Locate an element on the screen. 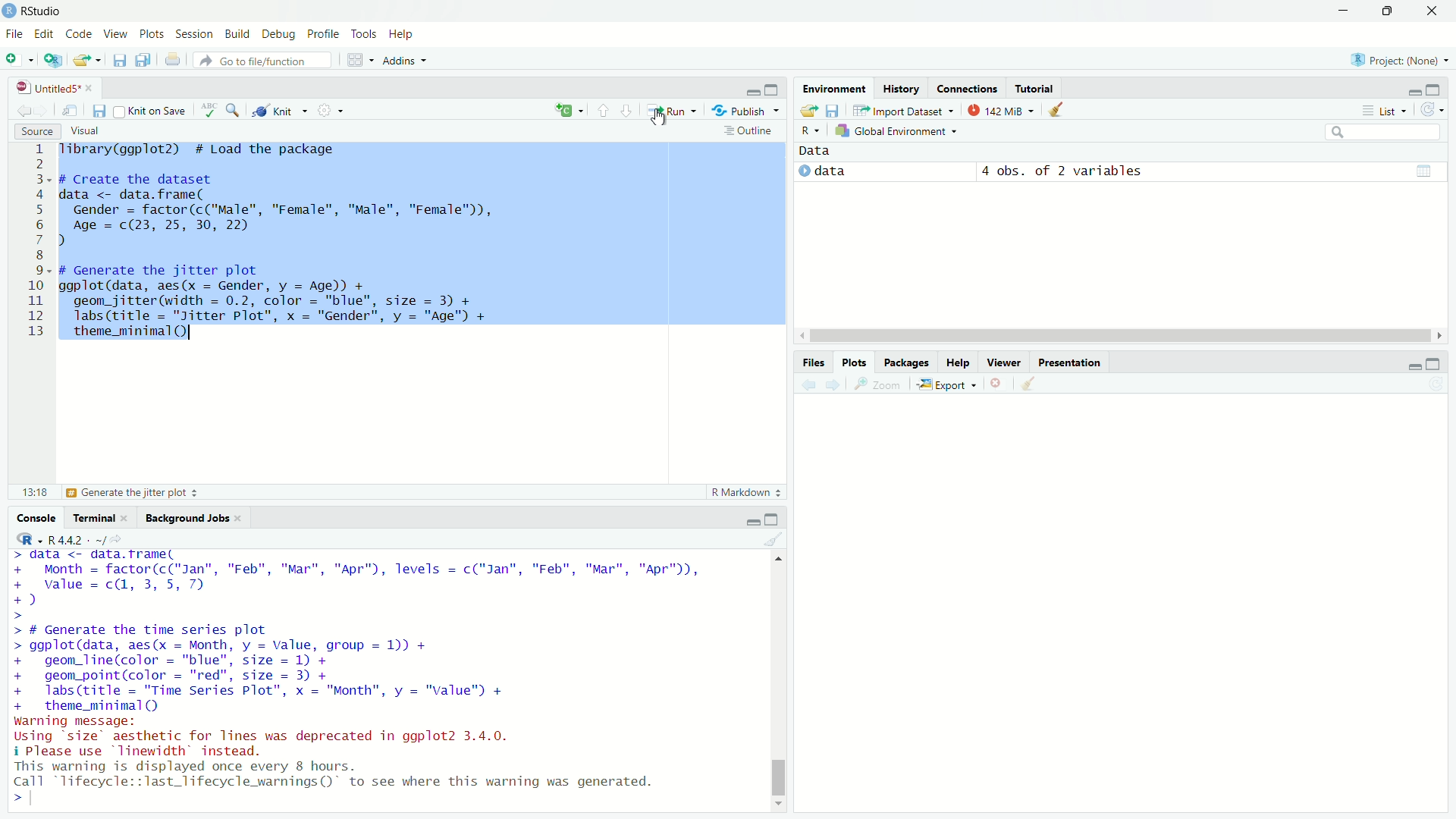  outline is located at coordinates (748, 131).